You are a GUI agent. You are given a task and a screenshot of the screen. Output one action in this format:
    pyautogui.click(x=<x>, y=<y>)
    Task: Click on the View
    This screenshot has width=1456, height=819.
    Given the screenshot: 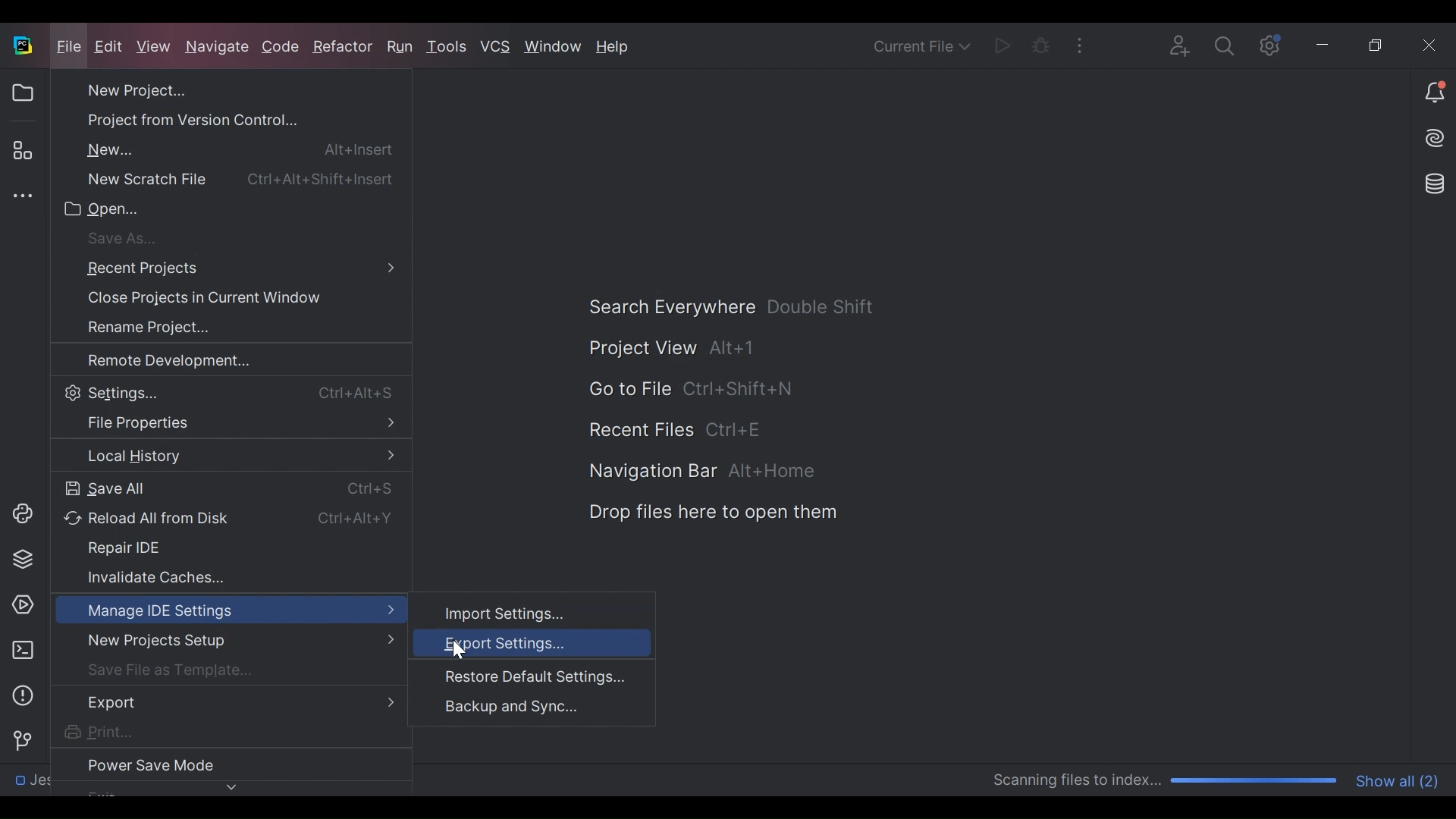 What is the action you would take?
    pyautogui.click(x=155, y=47)
    